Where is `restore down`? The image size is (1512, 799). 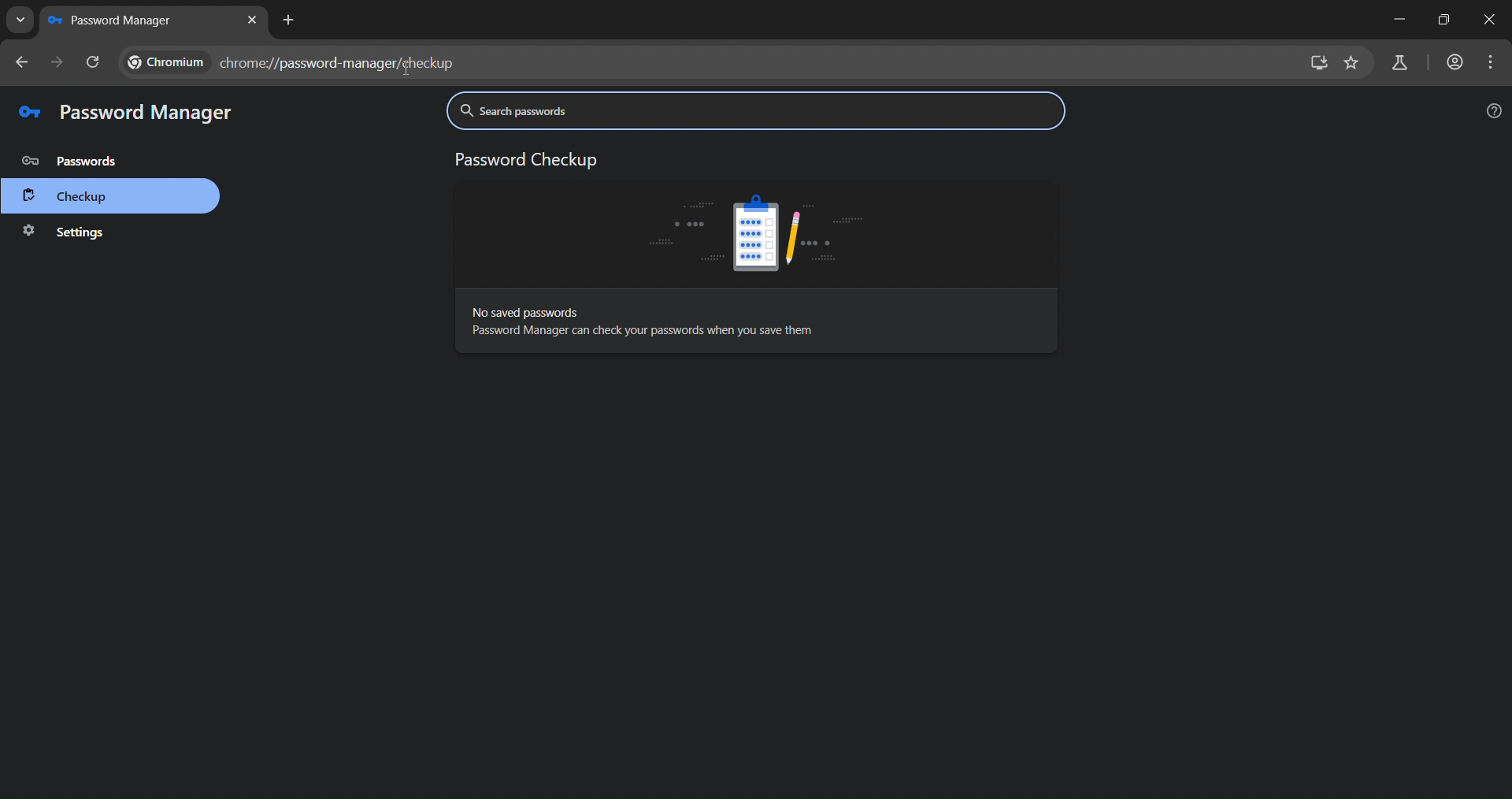
restore down is located at coordinates (1440, 20).